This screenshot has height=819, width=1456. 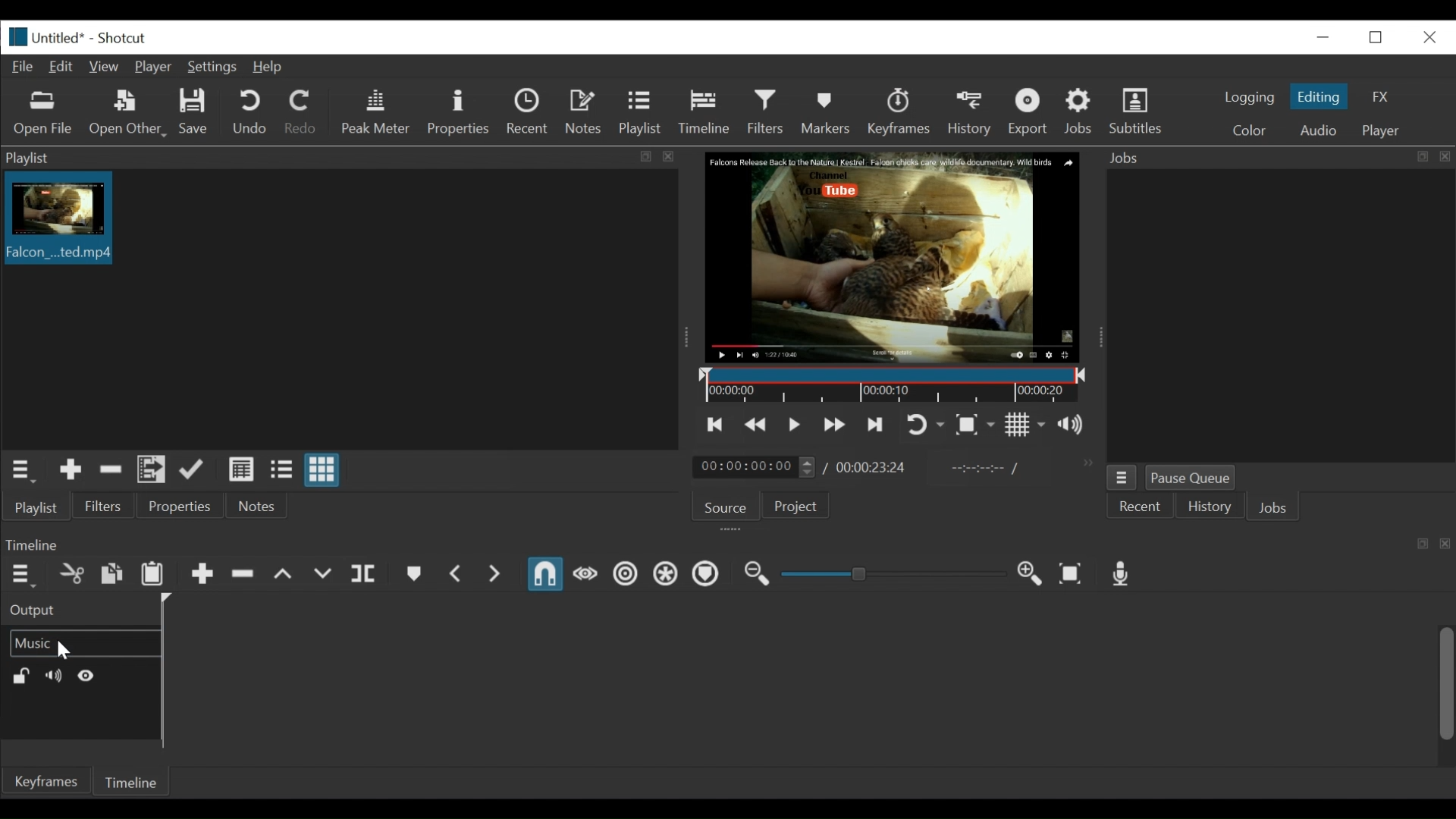 I want to click on Recent, so click(x=1140, y=507).